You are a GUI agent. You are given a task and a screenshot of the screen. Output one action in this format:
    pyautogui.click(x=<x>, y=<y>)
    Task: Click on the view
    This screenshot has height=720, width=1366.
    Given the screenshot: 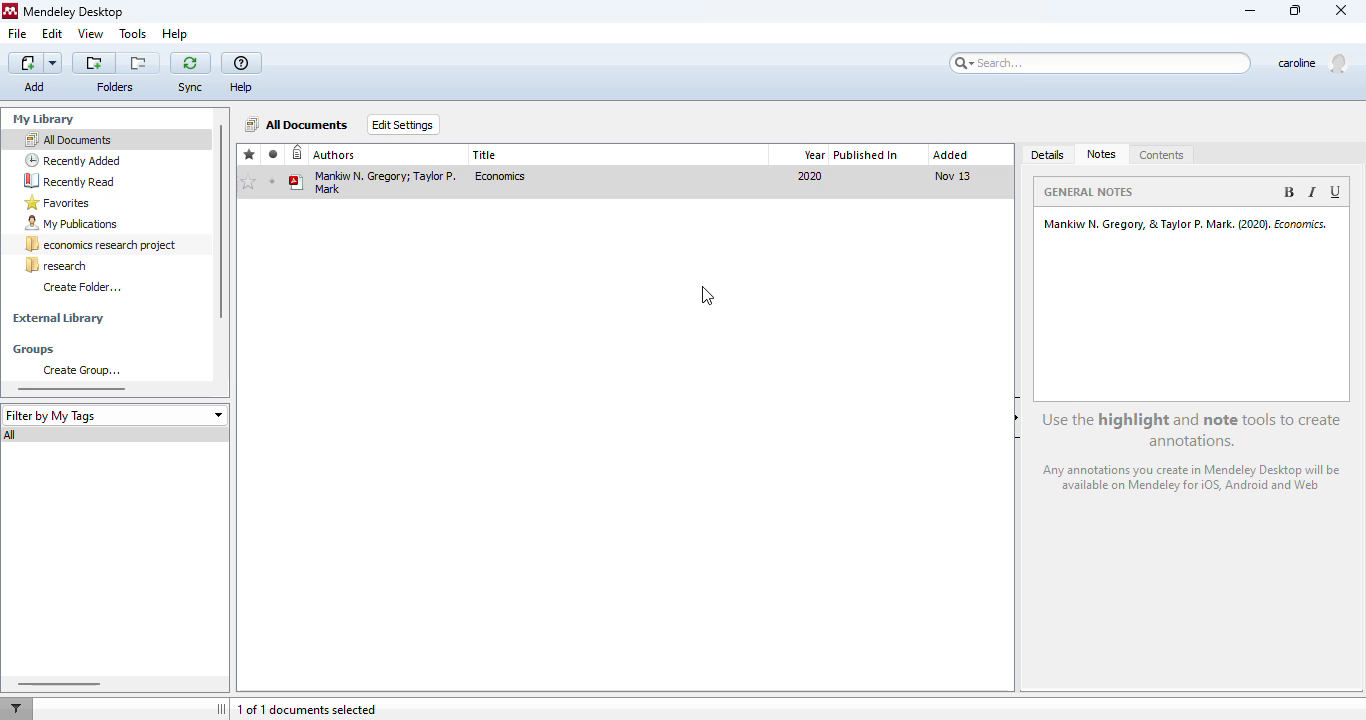 What is the action you would take?
    pyautogui.click(x=91, y=33)
    